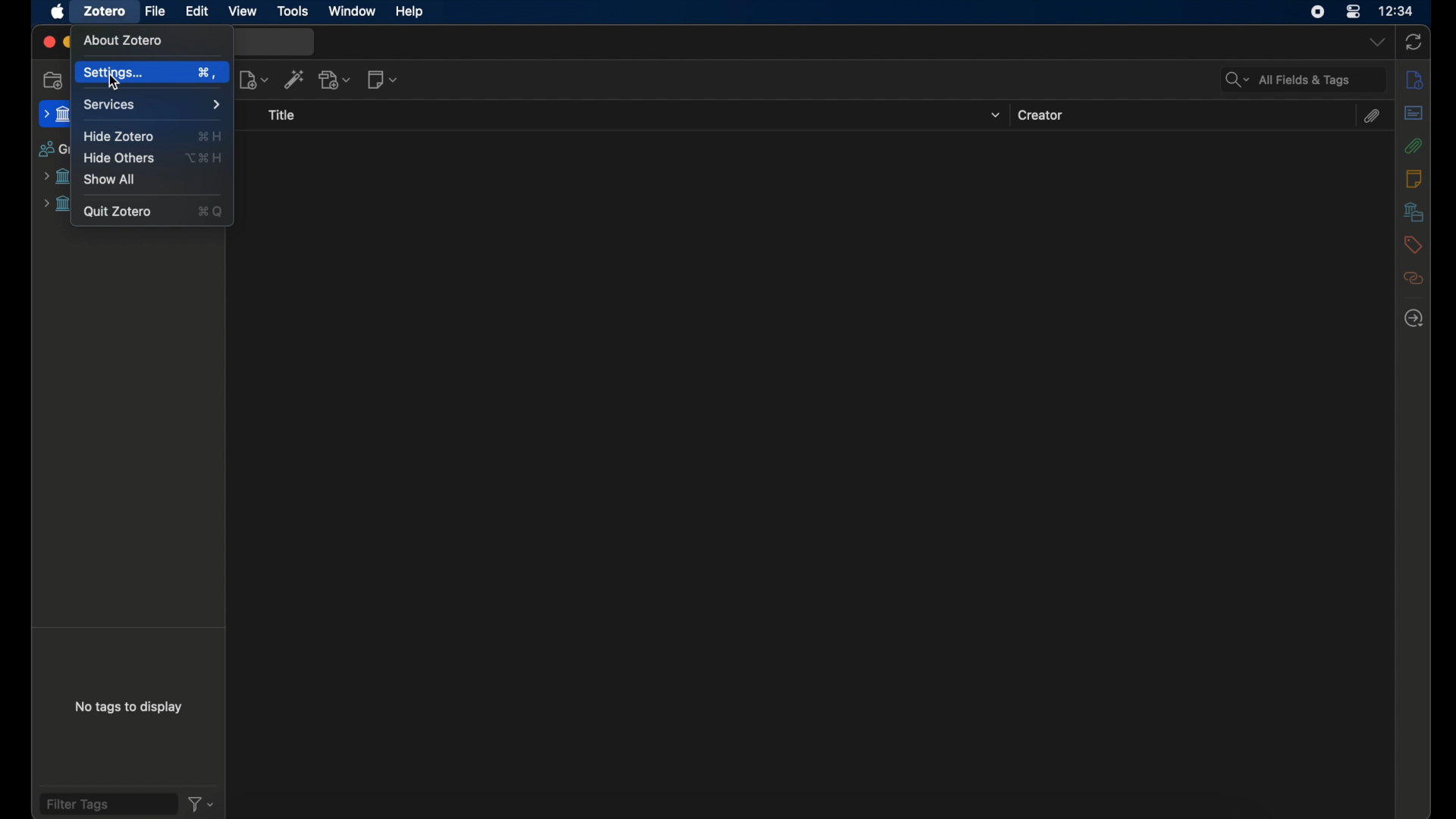 This screenshot has width=1456, height=819. I want to click on title , so click(283, 117).